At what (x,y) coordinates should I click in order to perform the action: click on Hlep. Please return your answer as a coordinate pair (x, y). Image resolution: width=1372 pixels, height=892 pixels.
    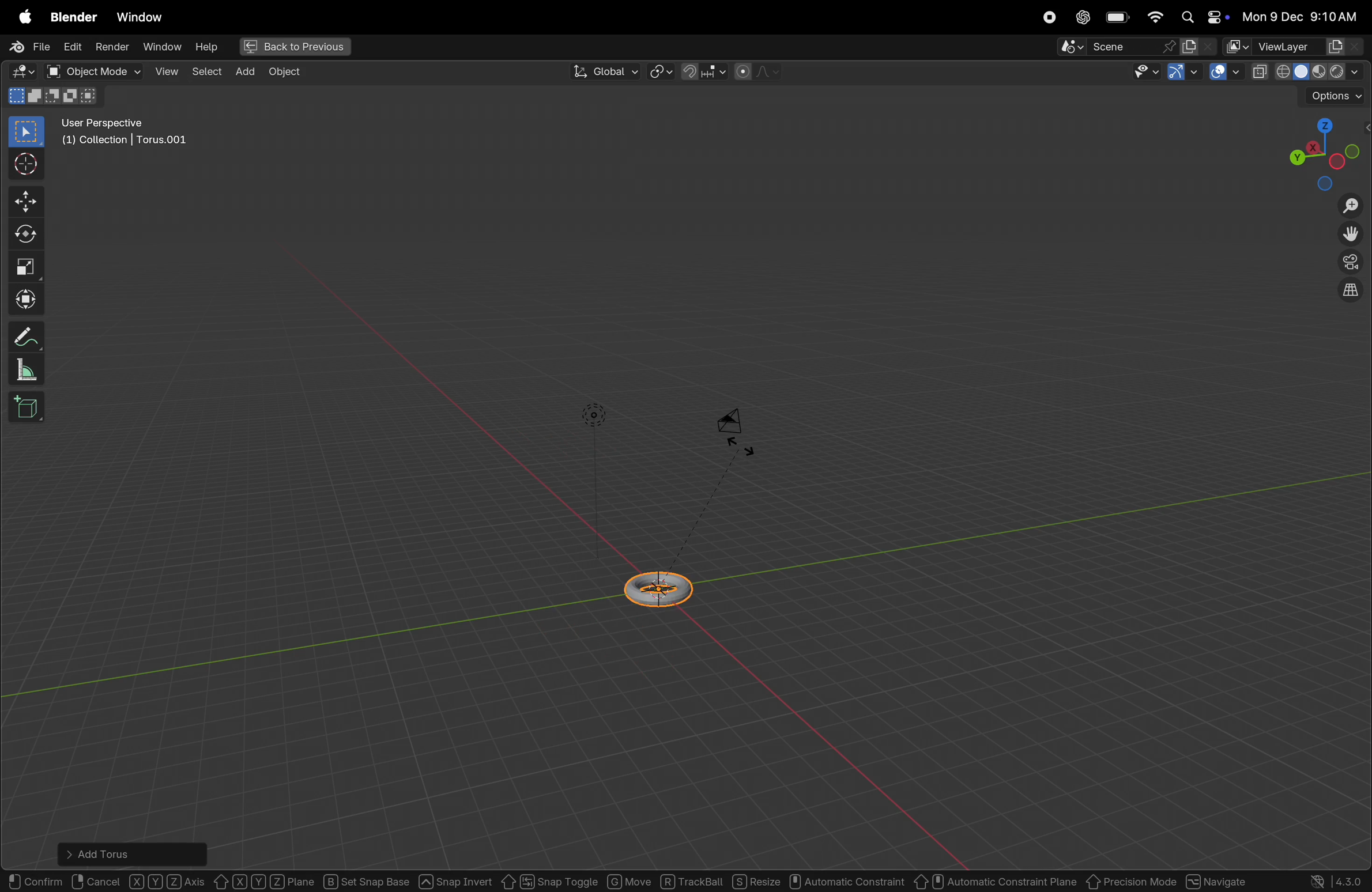
    Looking at the image, I should click on (205, 47).